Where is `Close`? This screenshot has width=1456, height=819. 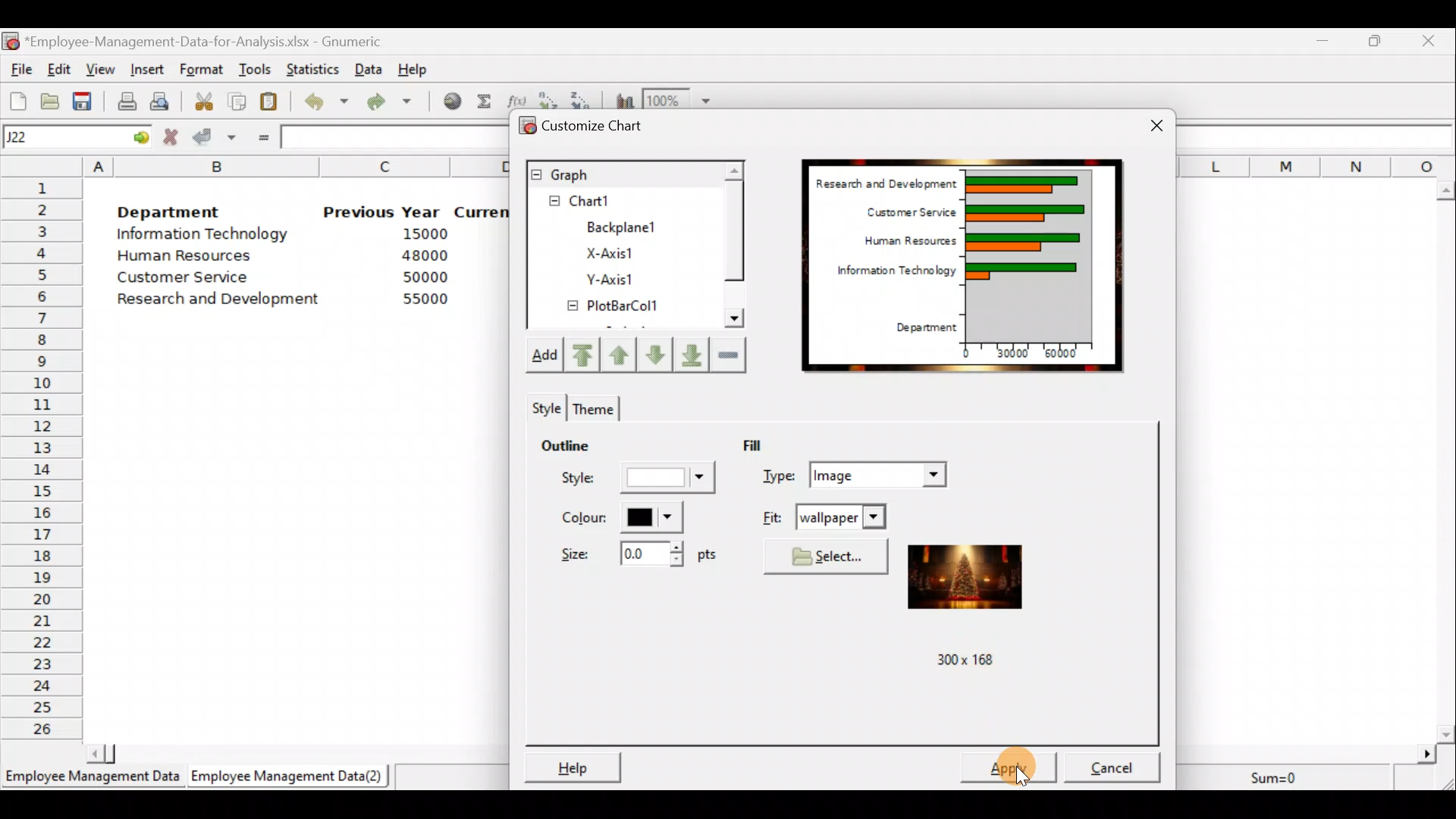 Close is located at coordinates (1432, 40).